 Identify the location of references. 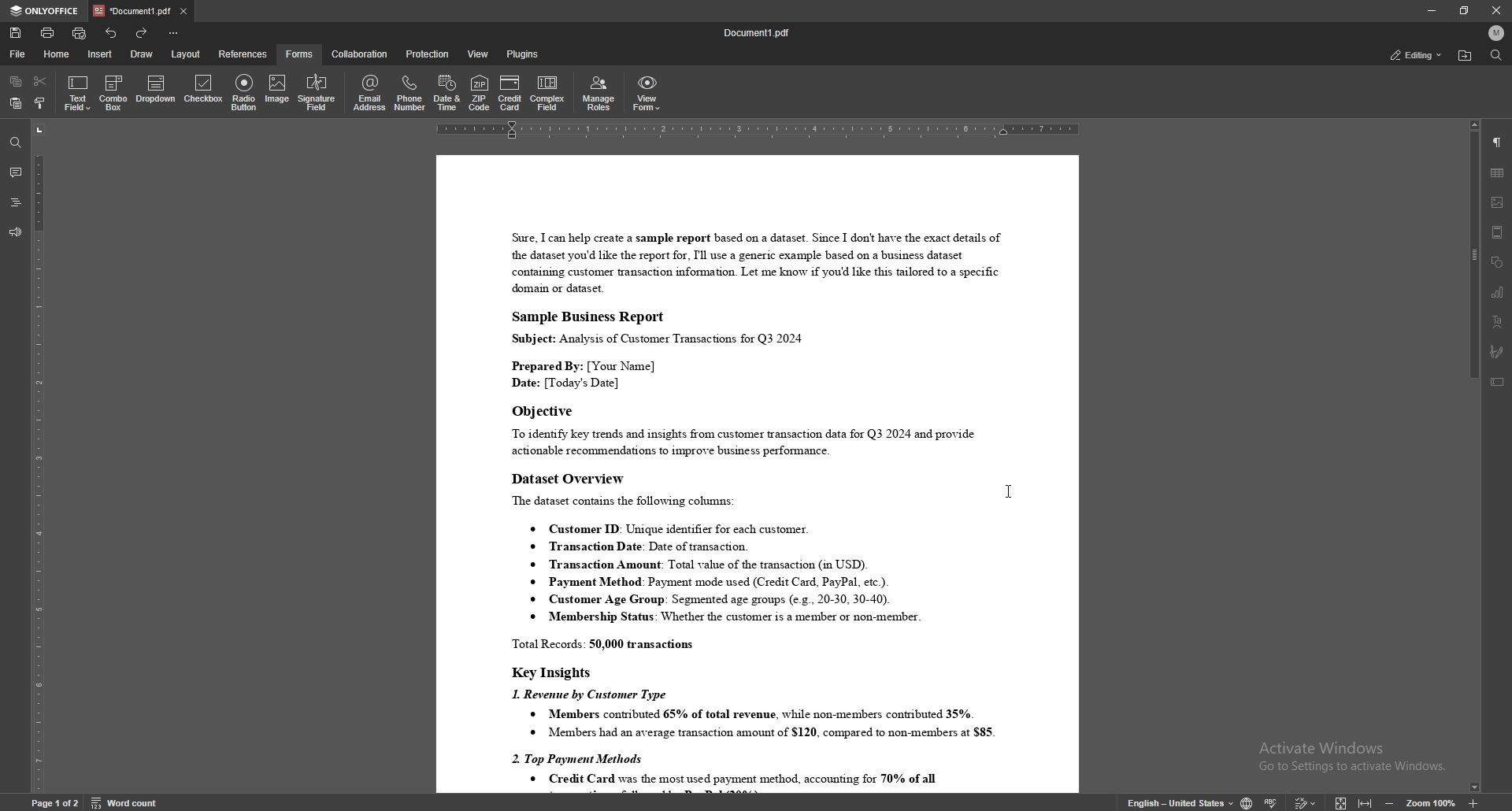
(244, 54).